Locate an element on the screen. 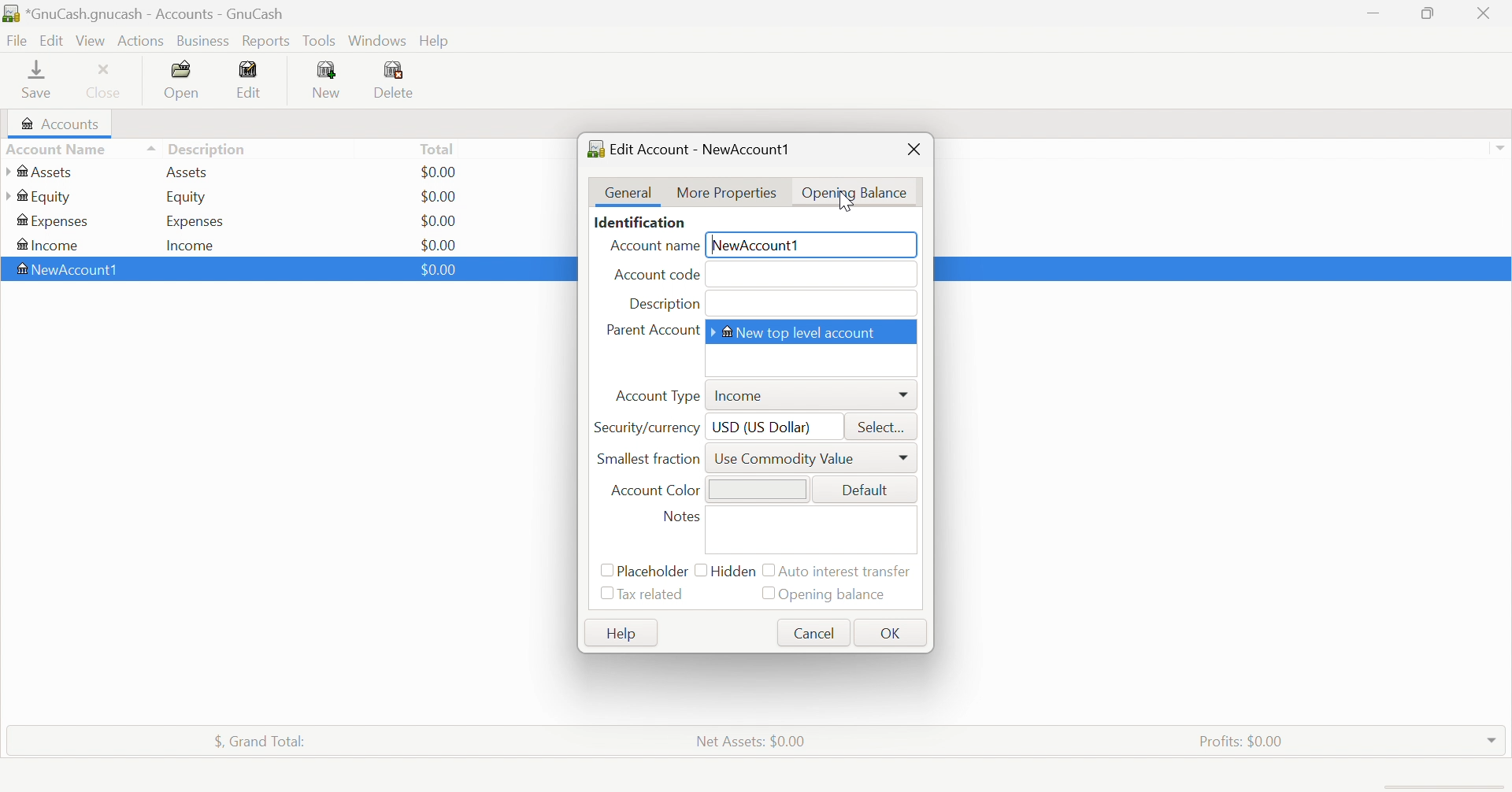 This screenshot has width=1512, height=792. Use commodity value is located at coordinates (784, 457).